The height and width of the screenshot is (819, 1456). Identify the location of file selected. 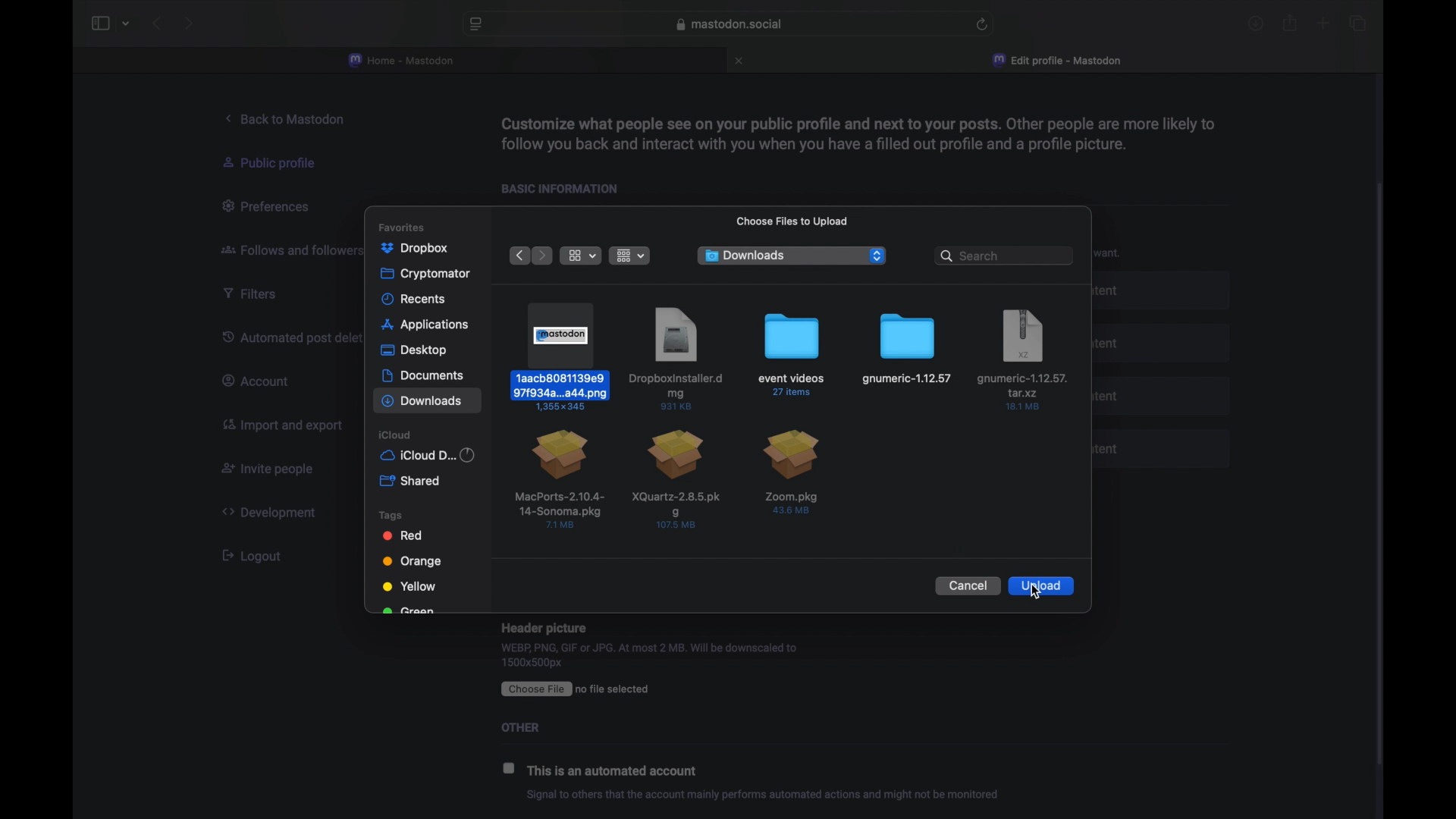
(563, 356).